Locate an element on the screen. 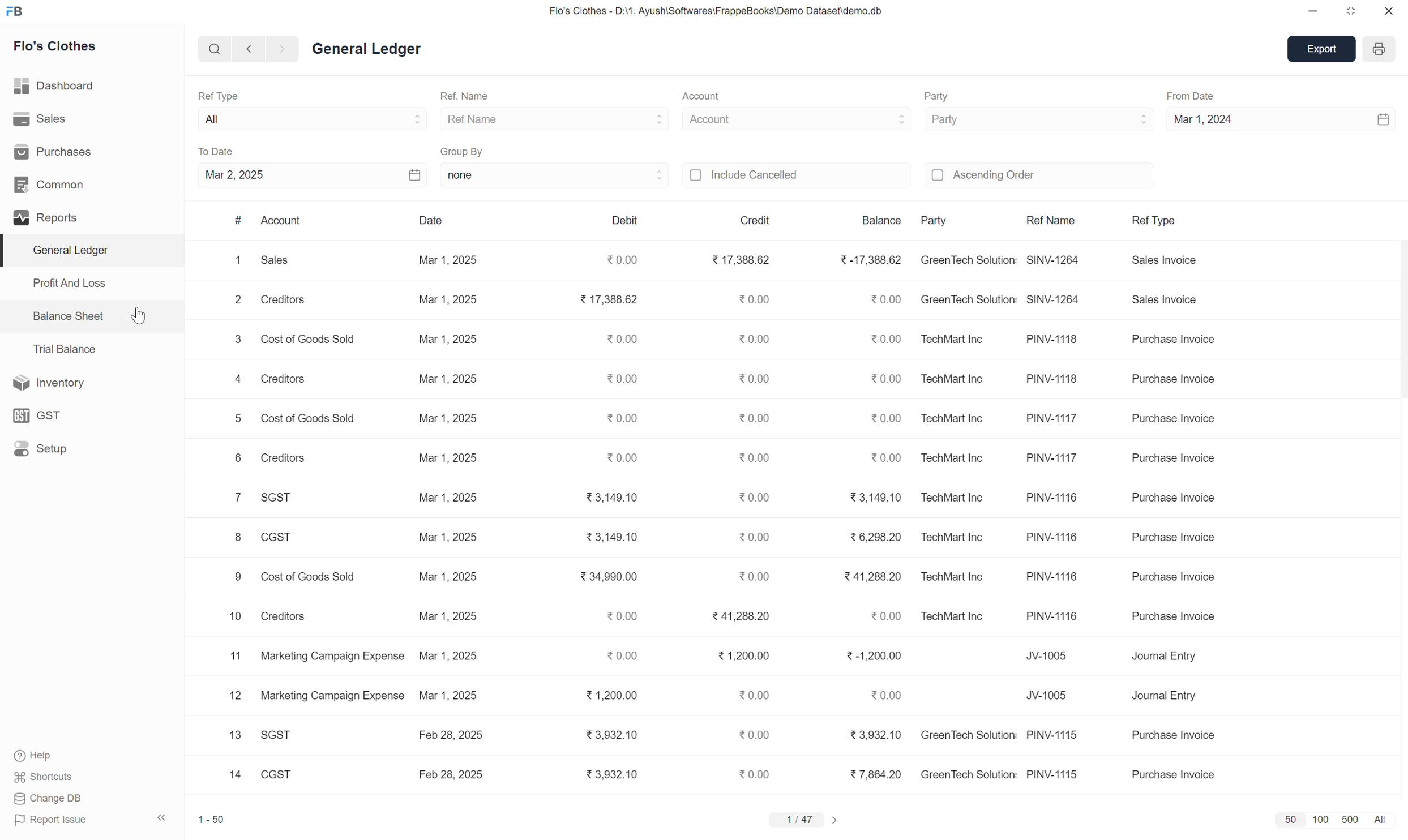 This screenshot has height=840, width=1408. 0.00 is located at coordinates (750, 458).